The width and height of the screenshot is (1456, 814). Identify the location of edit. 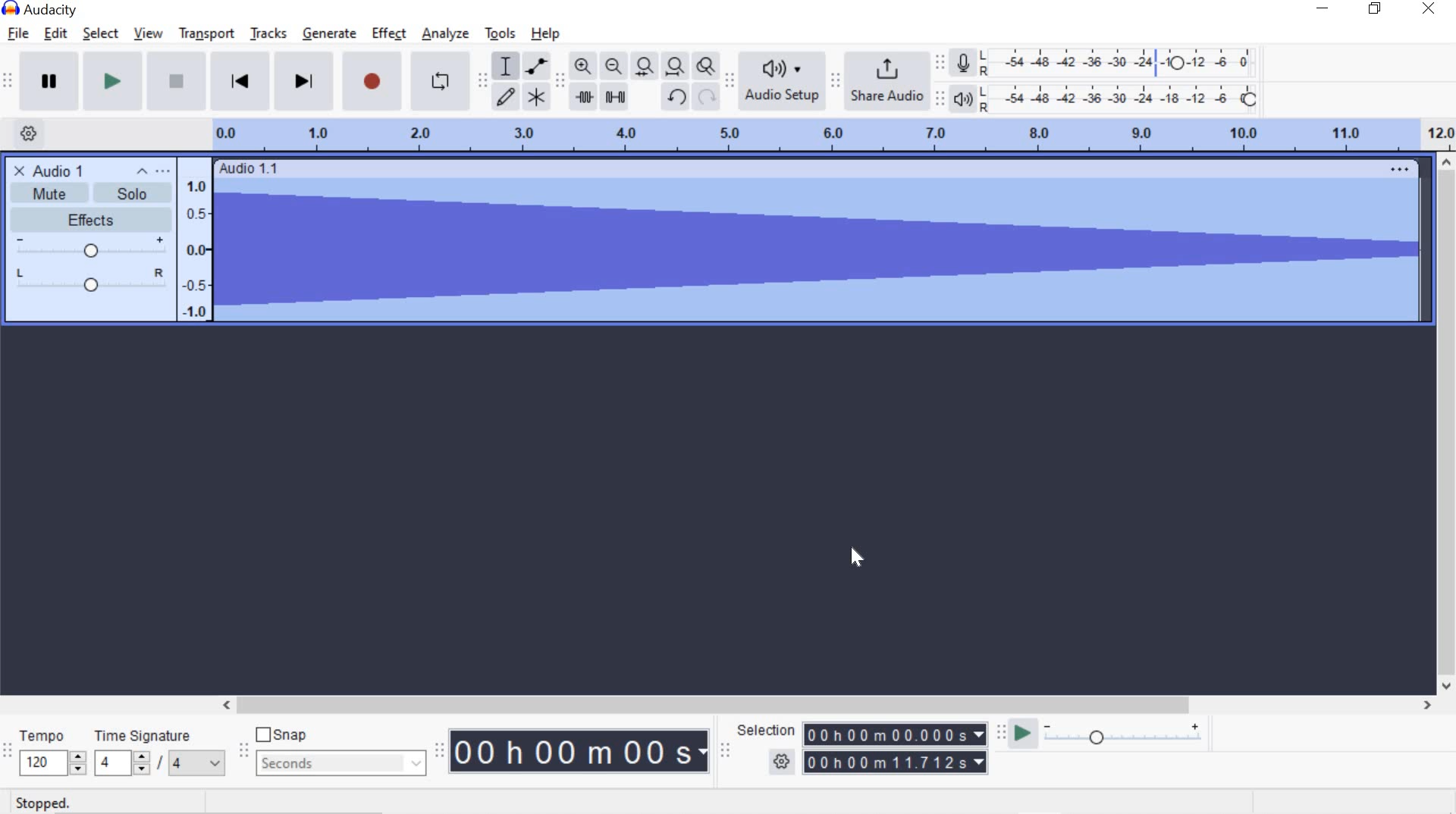
(55, 33).